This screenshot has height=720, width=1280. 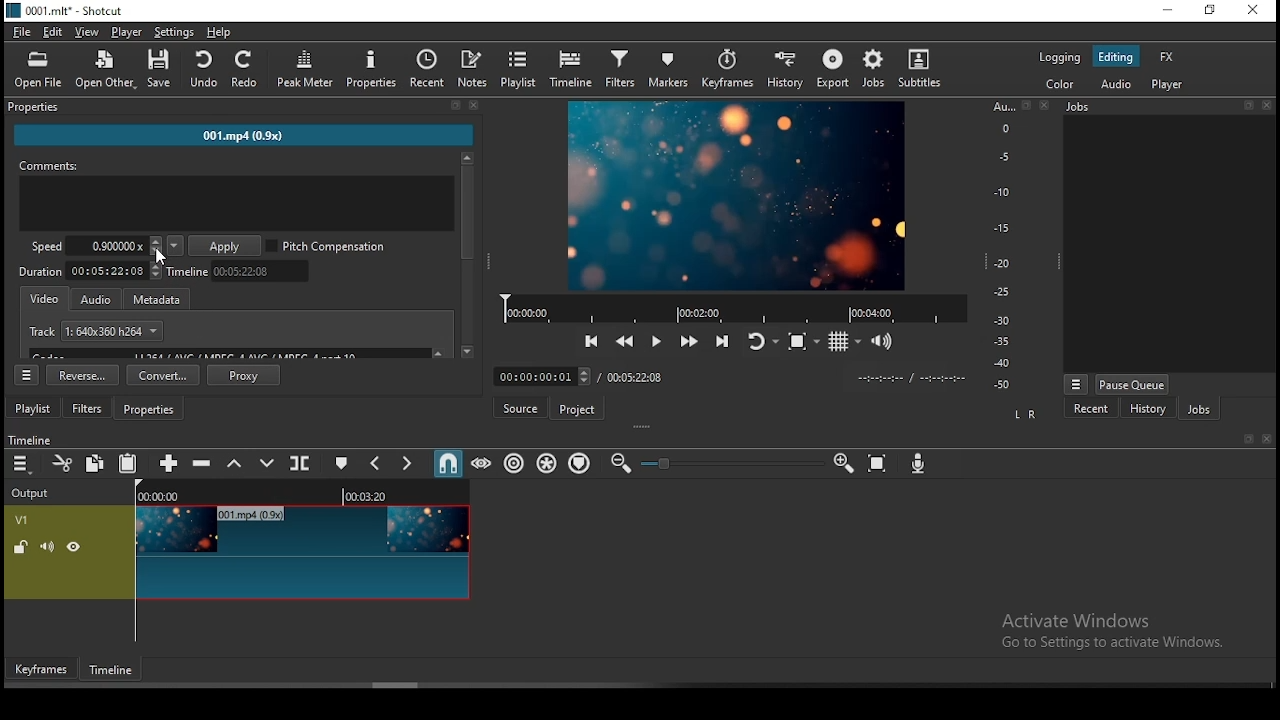 I want to click on cut, so click(x=59, y=463).